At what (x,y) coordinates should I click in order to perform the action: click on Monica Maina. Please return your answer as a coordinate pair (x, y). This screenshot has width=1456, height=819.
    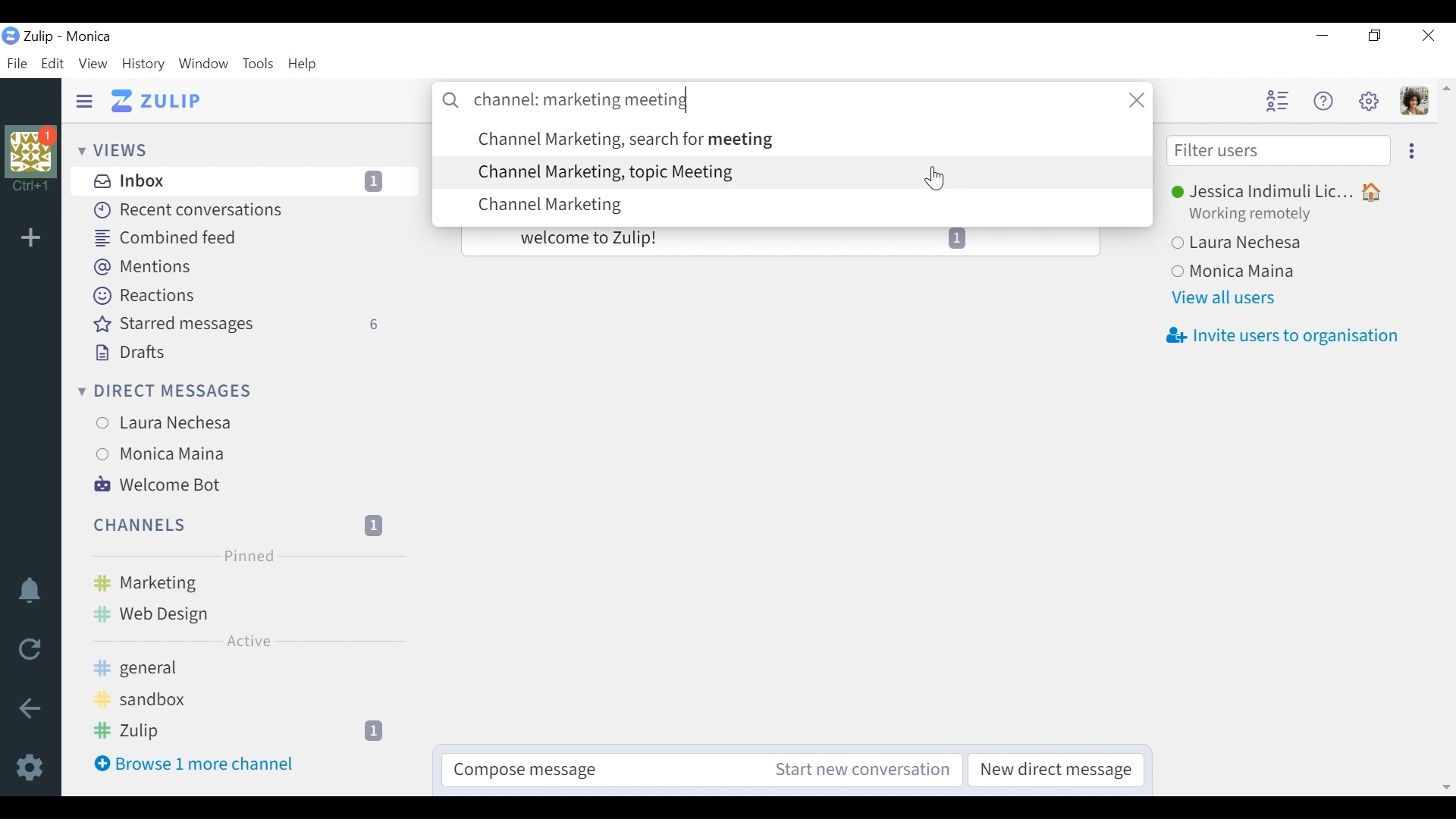
    Looking at the image, I should click on (1246, 269).